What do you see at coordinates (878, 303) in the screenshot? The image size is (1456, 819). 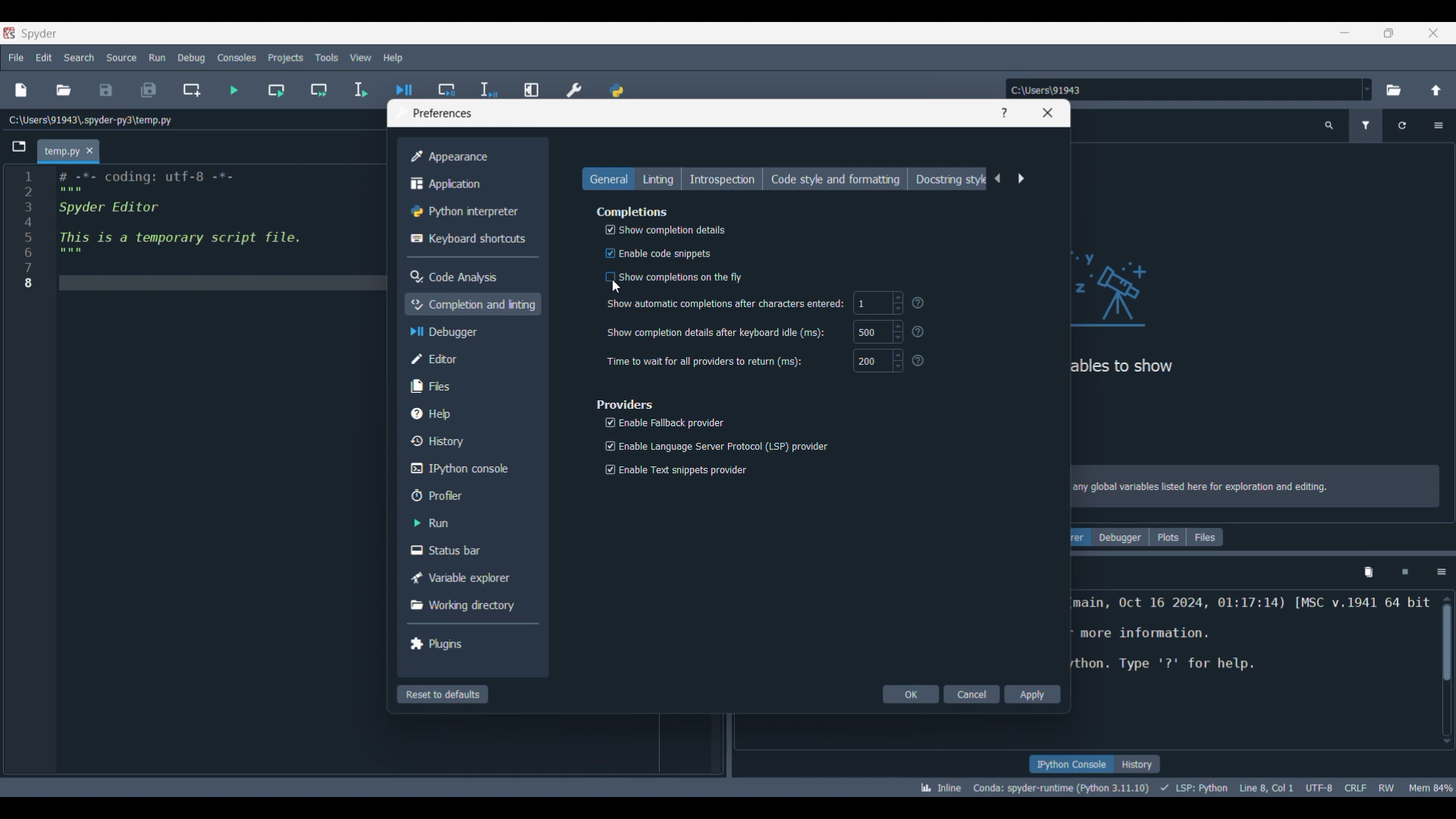 I see `1` at bounding box center [878, 303].